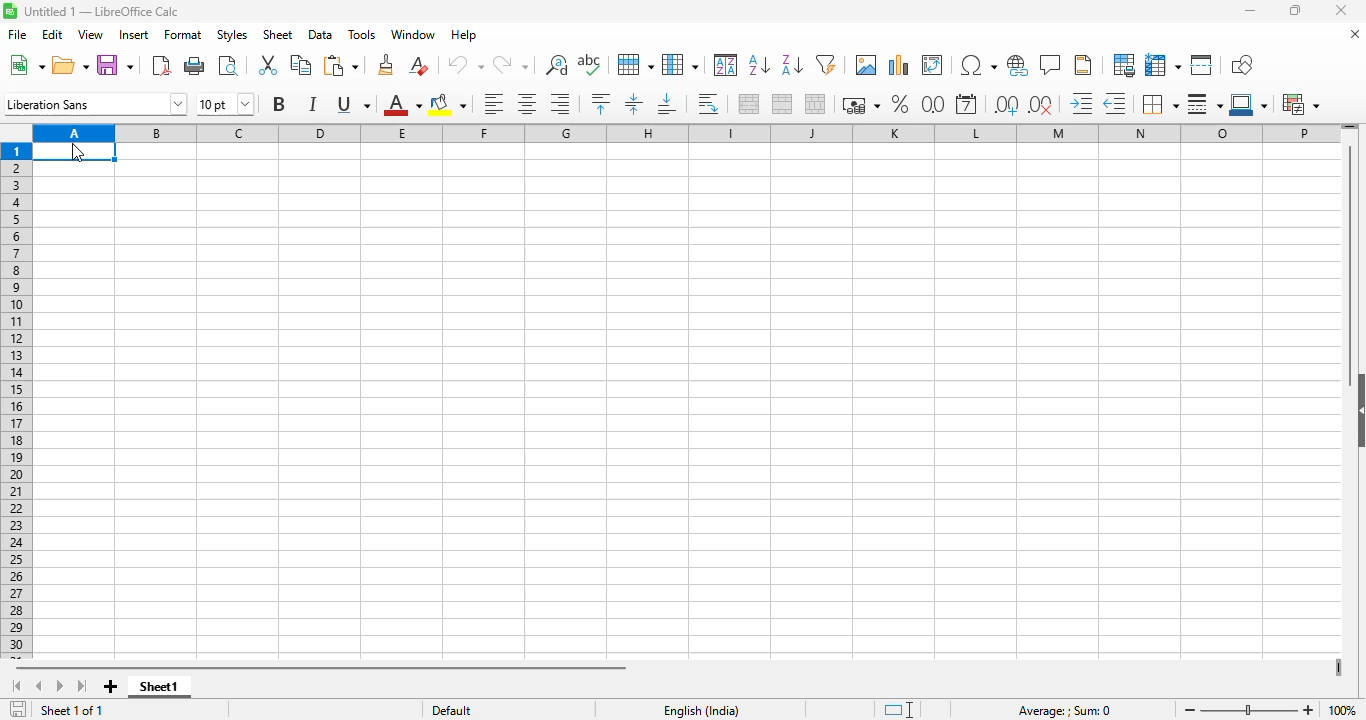 The image size is (1366, 720). Describe the element at coordinates (1051, 65) in the screenshot. I see `insert comment` at that location.